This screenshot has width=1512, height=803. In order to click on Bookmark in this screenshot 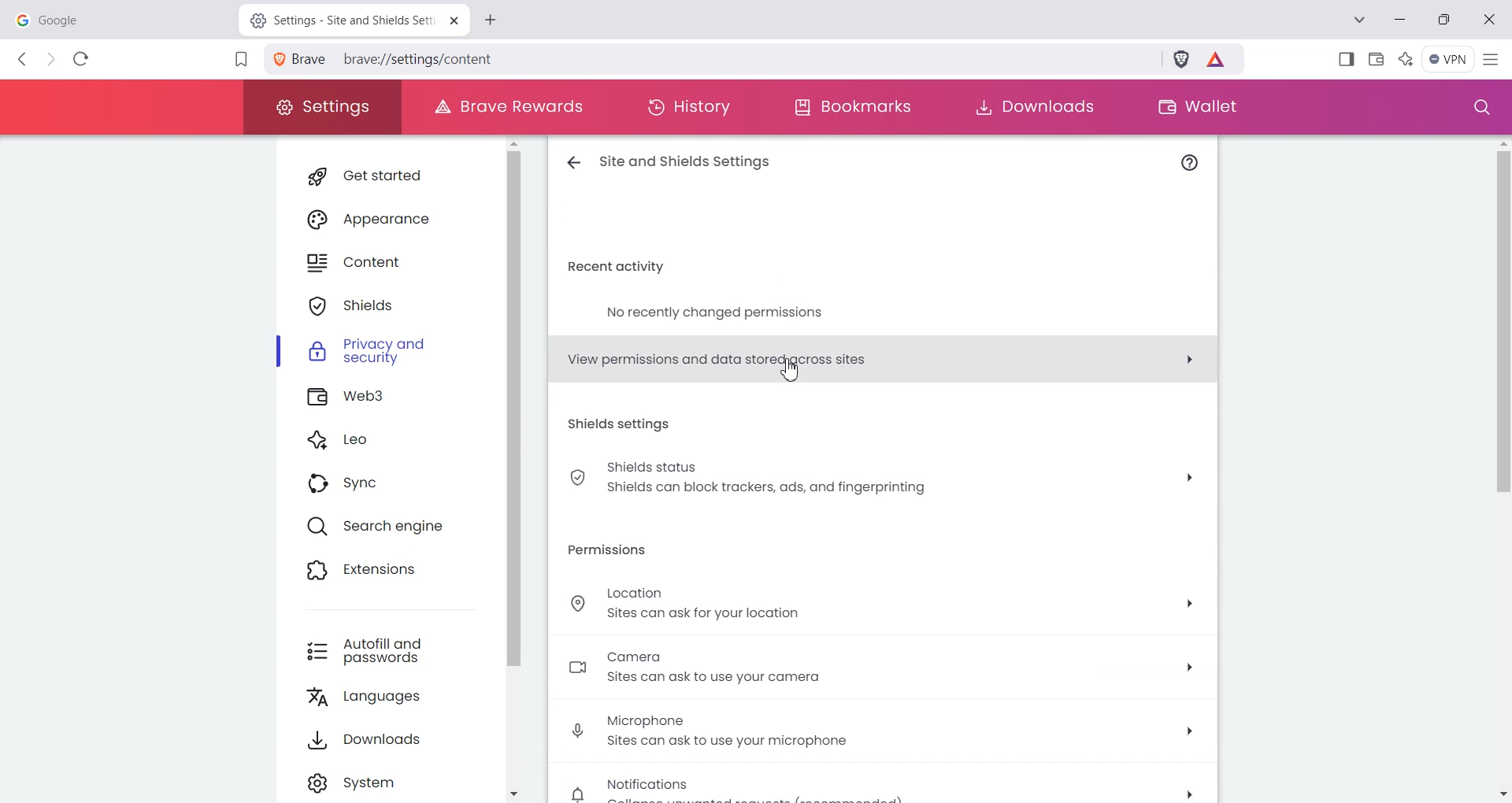, I will do `click(240, 61)`.